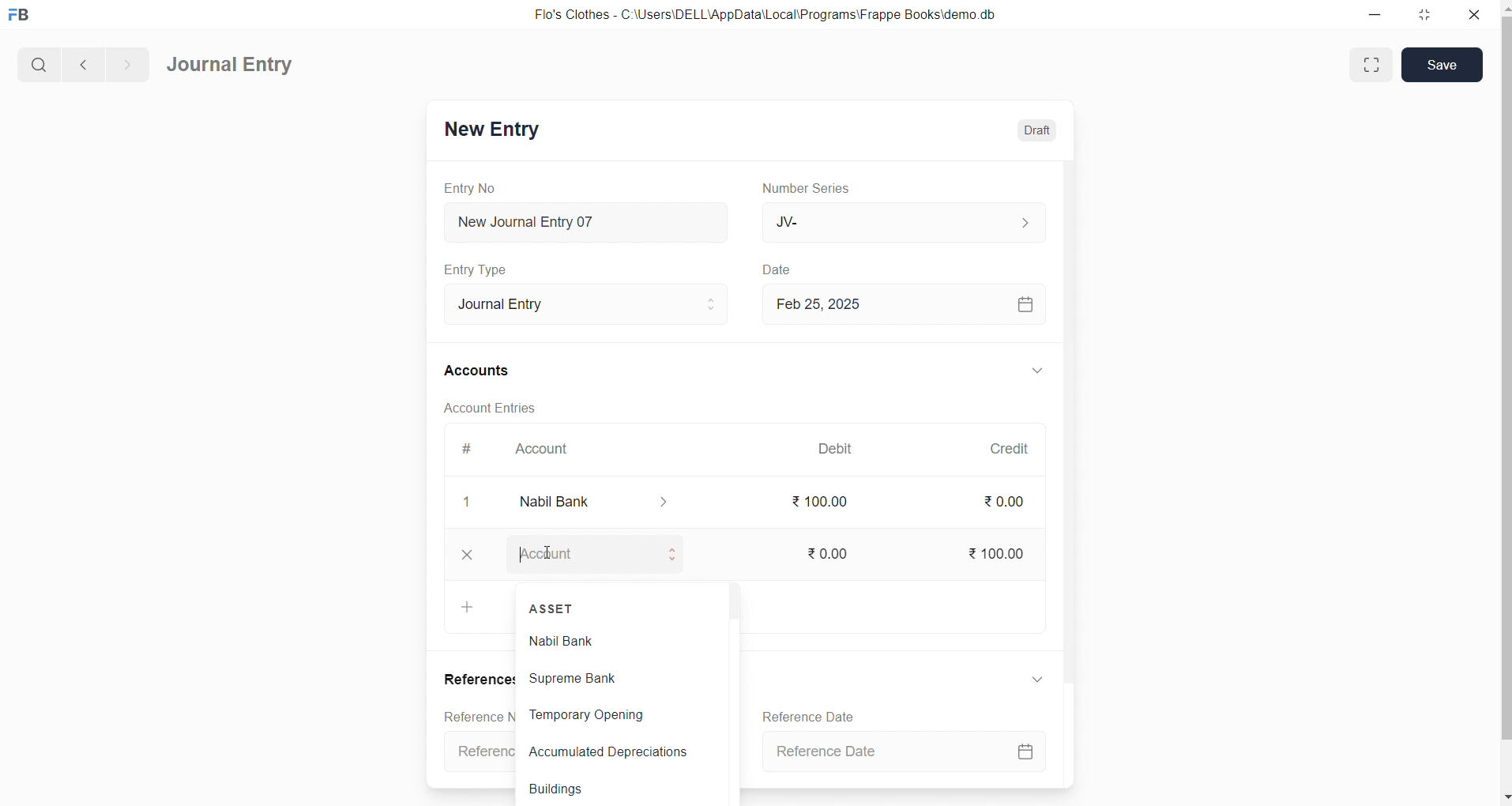 The image size is (1512, 806). What do you see at coordinates (555, 608) in the screenshot?
I see `ASSET` at bounding box center [555, 608].